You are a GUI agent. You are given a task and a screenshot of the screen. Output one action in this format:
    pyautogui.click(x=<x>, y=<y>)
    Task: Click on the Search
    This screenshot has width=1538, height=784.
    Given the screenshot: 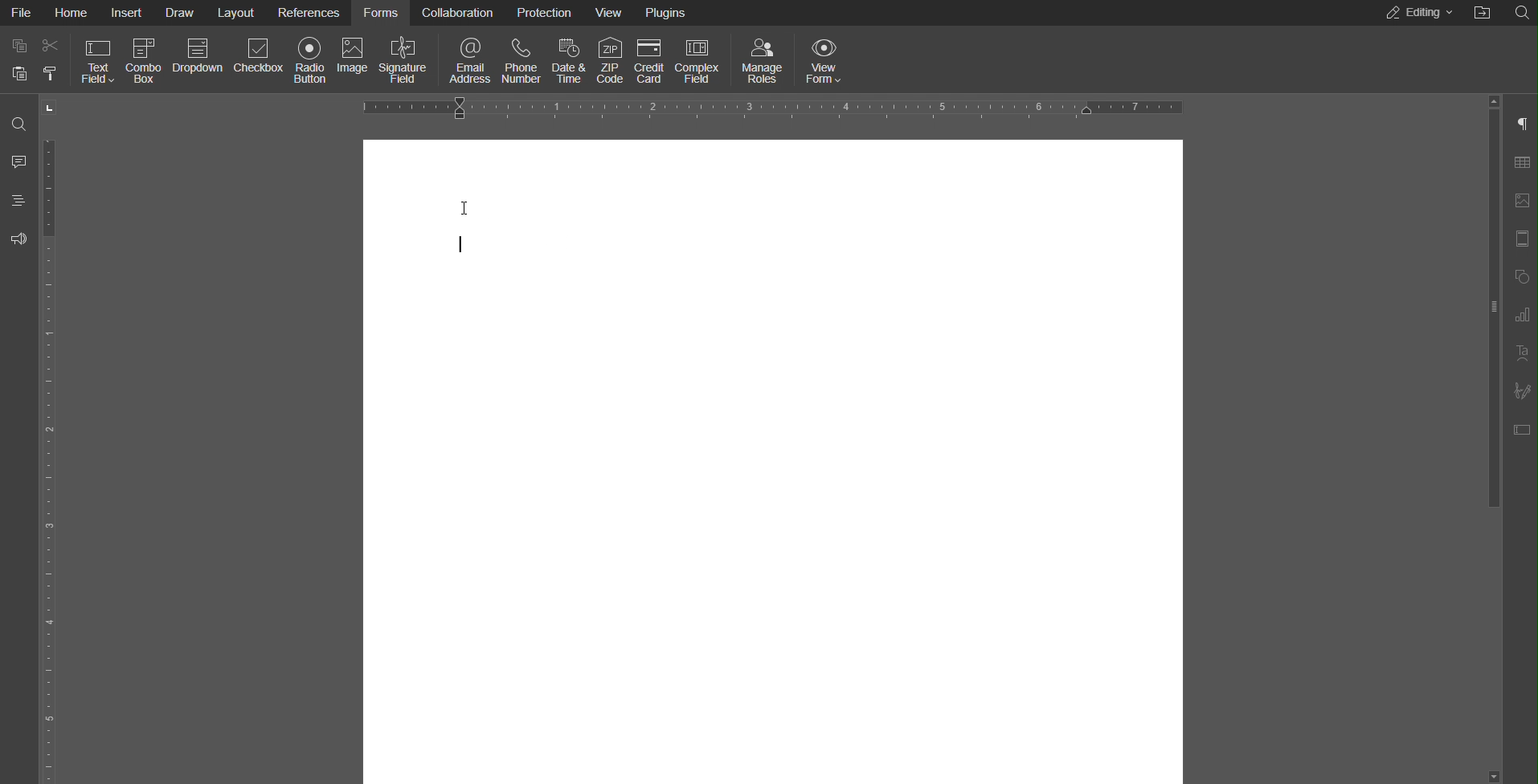 What is the action you would take?
    pyautogui.click(x=18, y=125)
    